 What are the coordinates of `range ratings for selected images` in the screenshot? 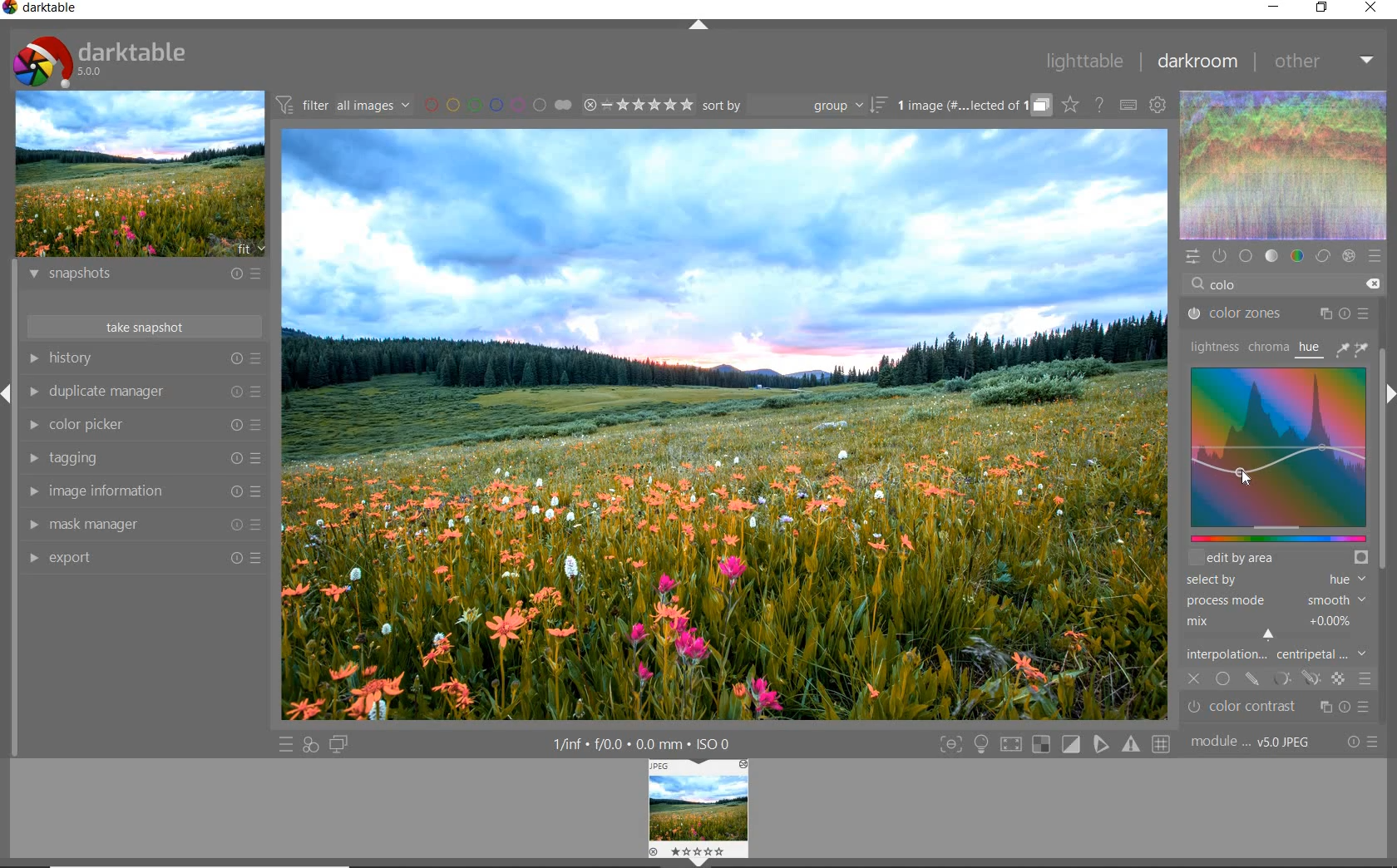 It's located at (639, 105).